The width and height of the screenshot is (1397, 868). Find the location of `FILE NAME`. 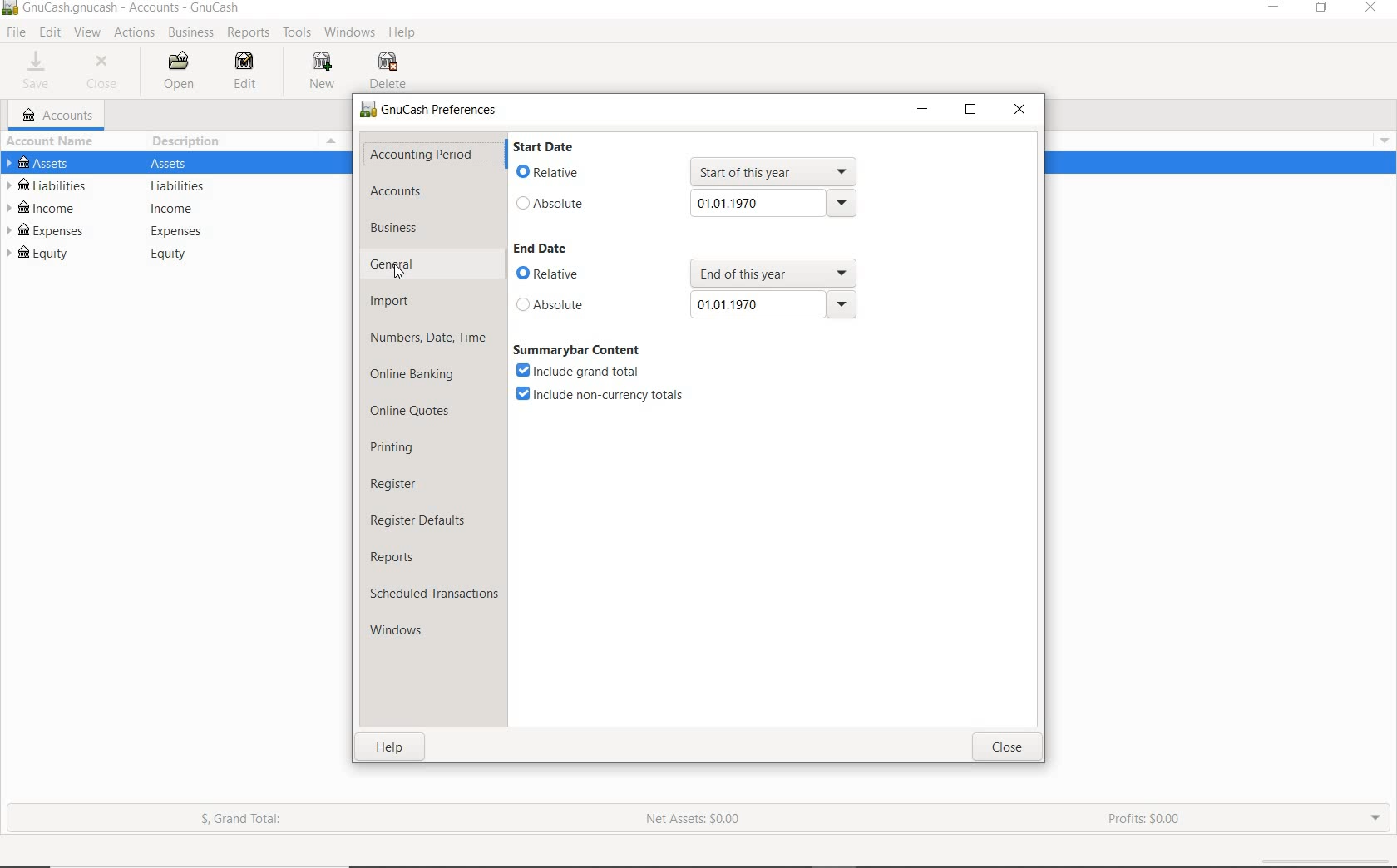

FILE NAME is located at coordinates (122, 7).